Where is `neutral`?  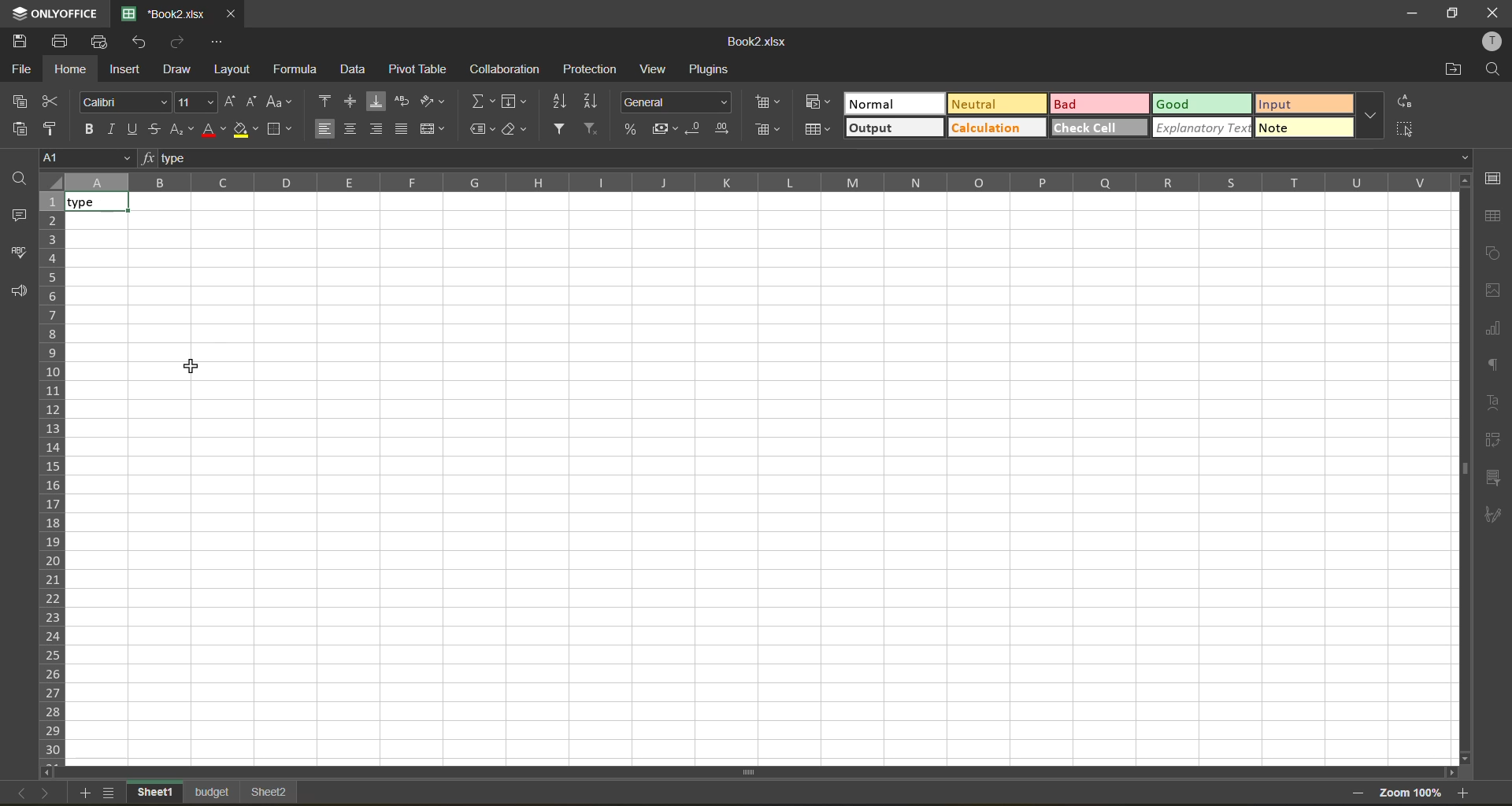
neutral is located at coordinates (995, 102).